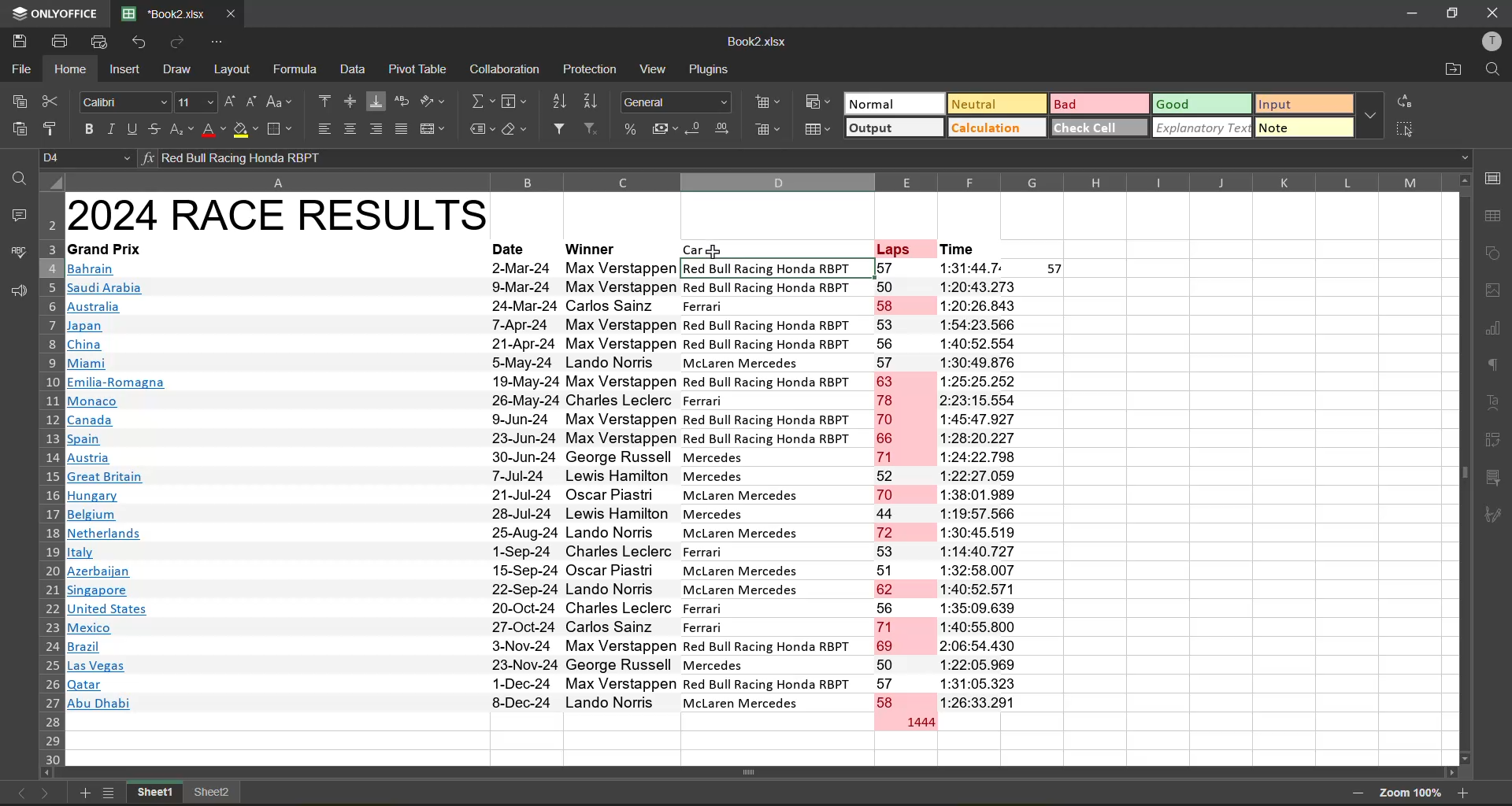  Describe the element at coordinates (1273, 509) in the screenshot. I see `Empty cells` at that location.